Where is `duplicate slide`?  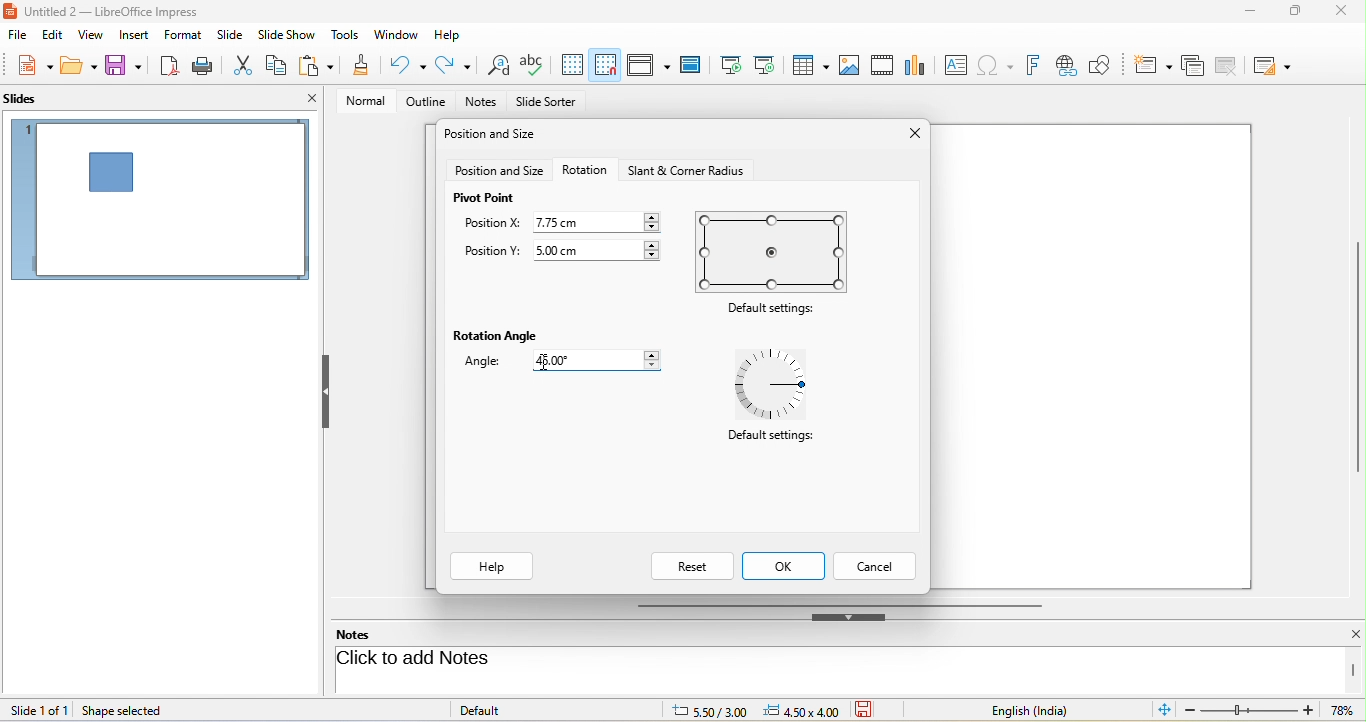
duplicate slide is located at coordinates (1192, 64).